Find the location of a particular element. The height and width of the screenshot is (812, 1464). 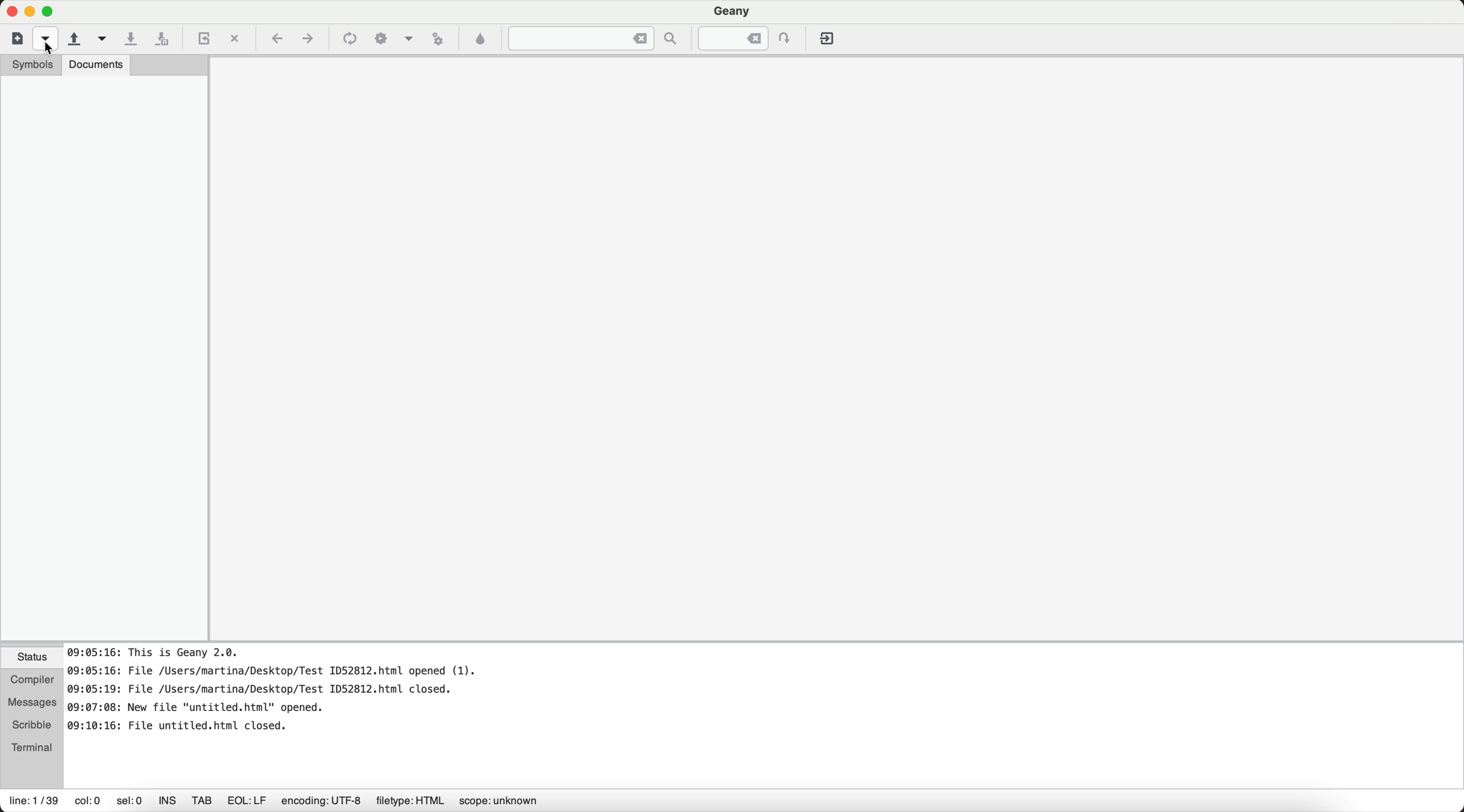

information is located at coordinates (275, 800).